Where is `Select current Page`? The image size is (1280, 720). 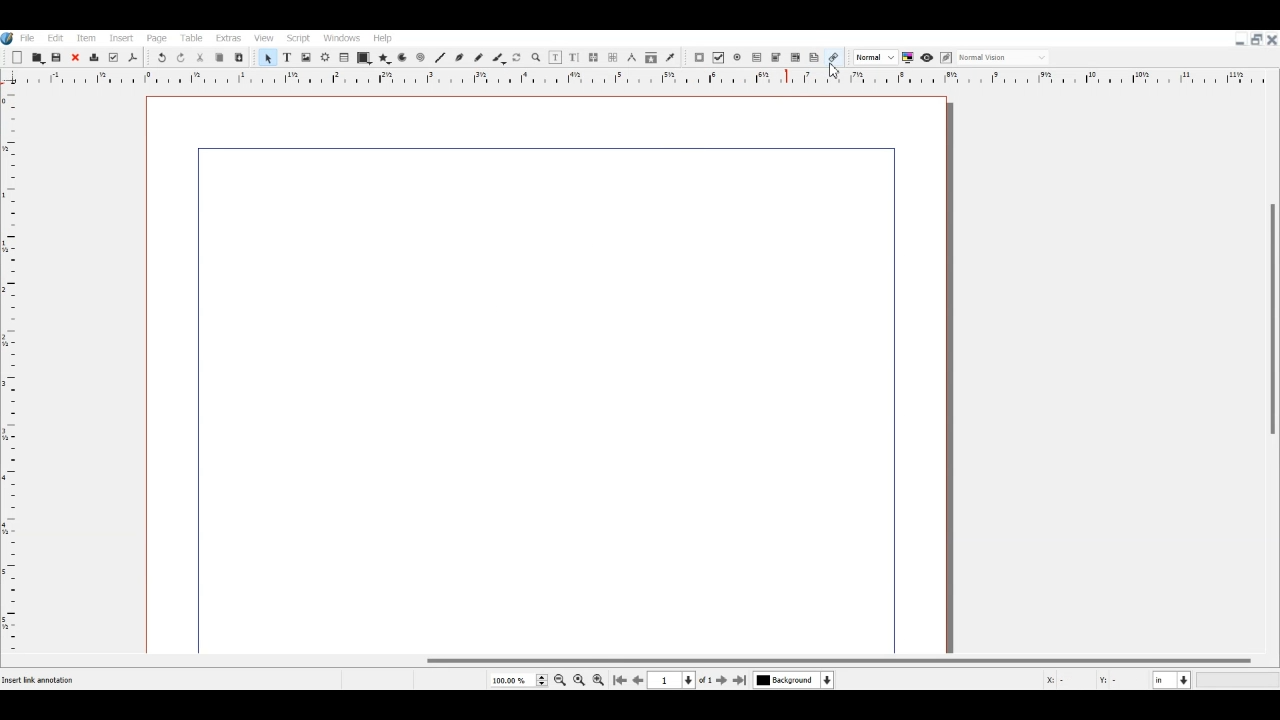
Select current Page is located at coordinates (684, 680).